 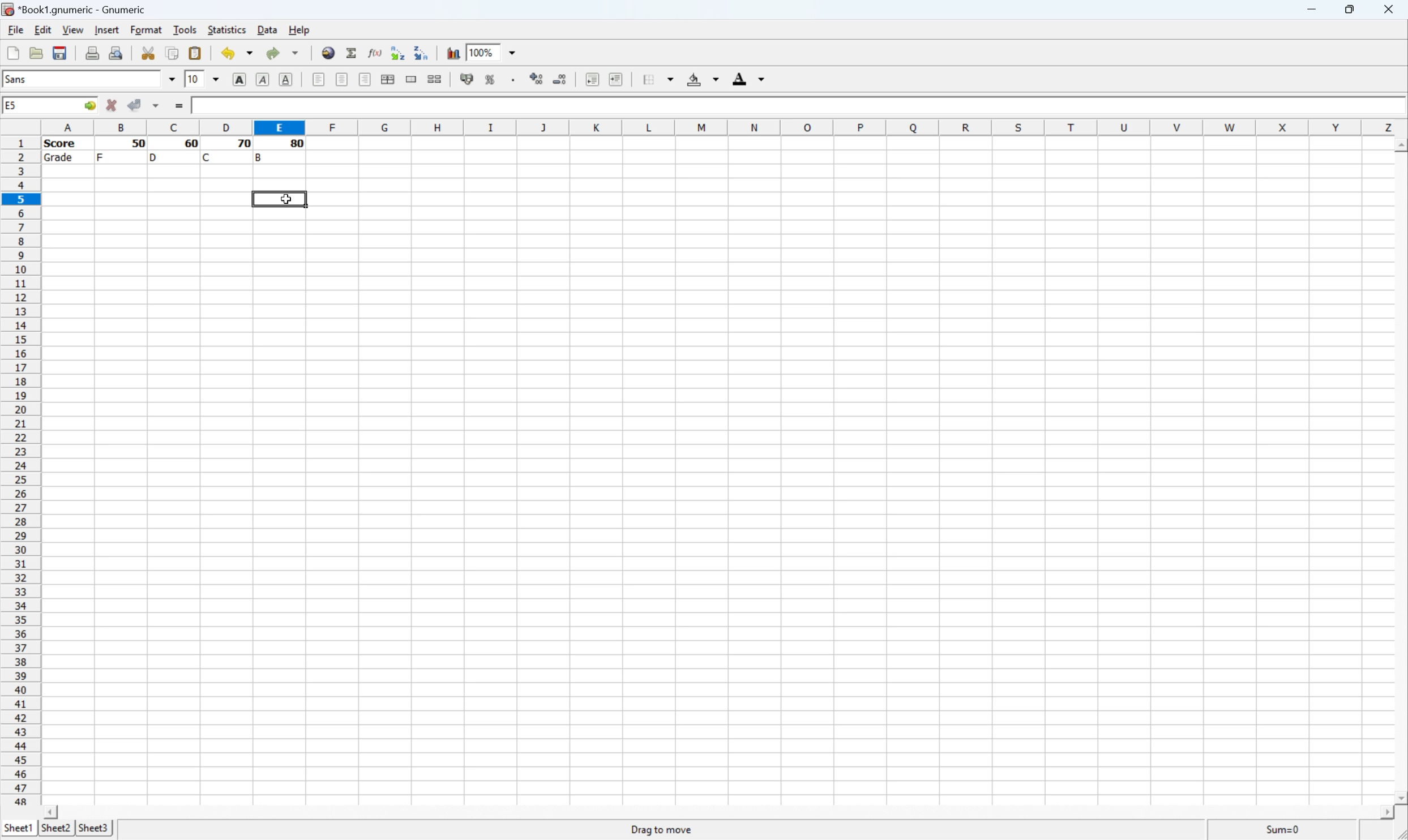 I want to click on F, so click(x=101, y=156).